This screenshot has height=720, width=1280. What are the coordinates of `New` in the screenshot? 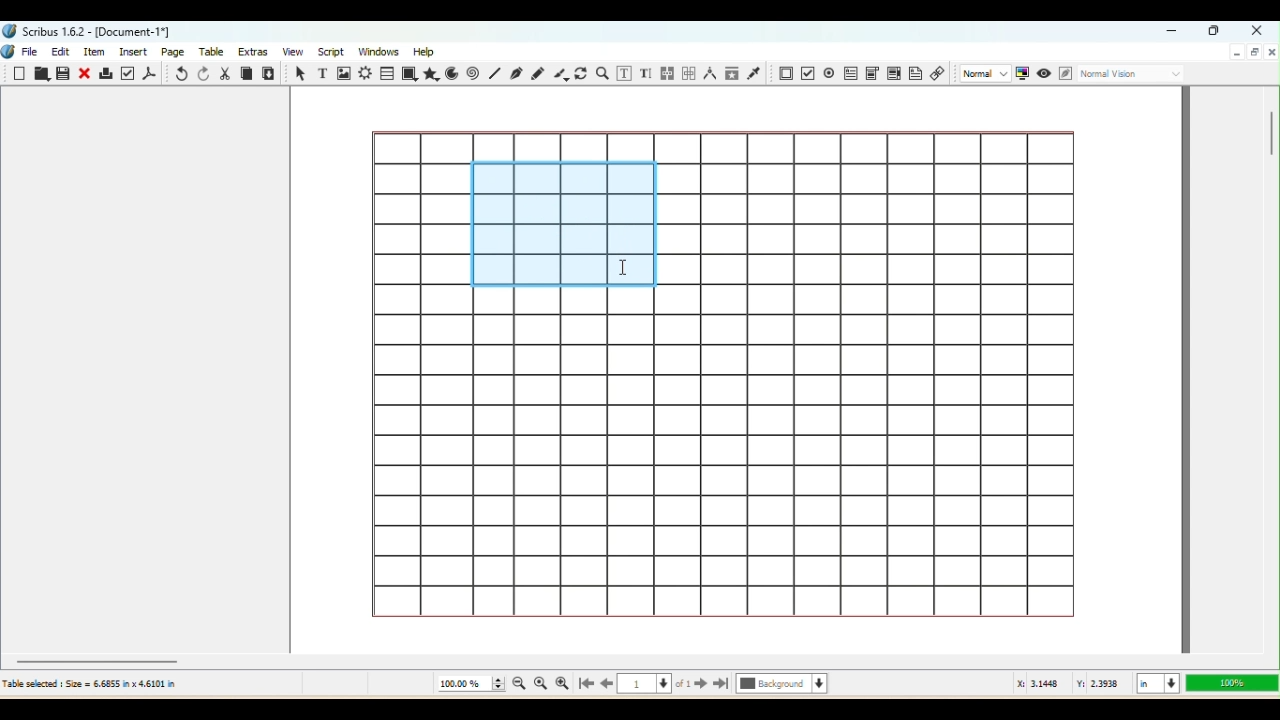 It's located at (21, 74).